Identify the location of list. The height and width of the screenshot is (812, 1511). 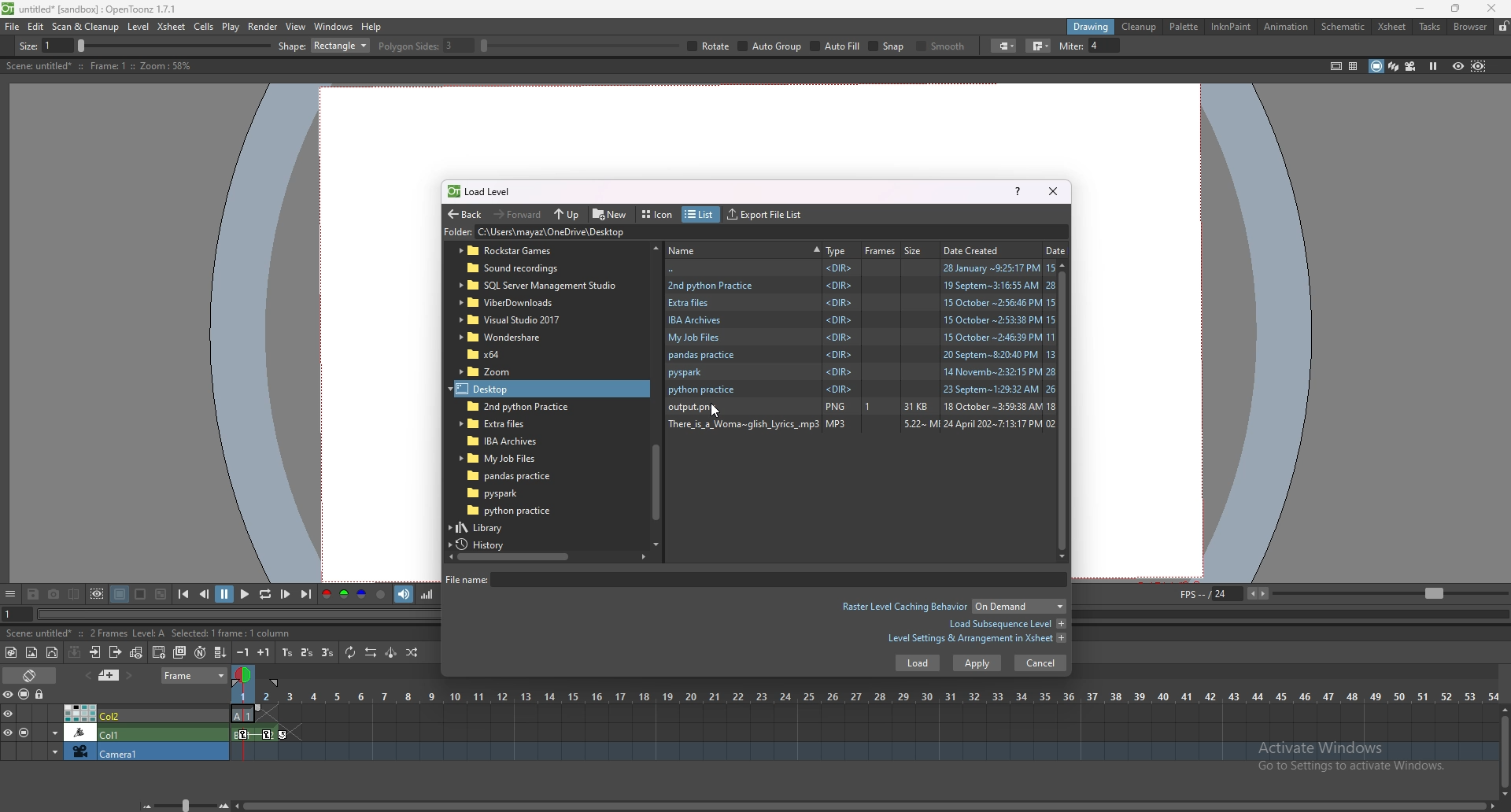
(699, 215).